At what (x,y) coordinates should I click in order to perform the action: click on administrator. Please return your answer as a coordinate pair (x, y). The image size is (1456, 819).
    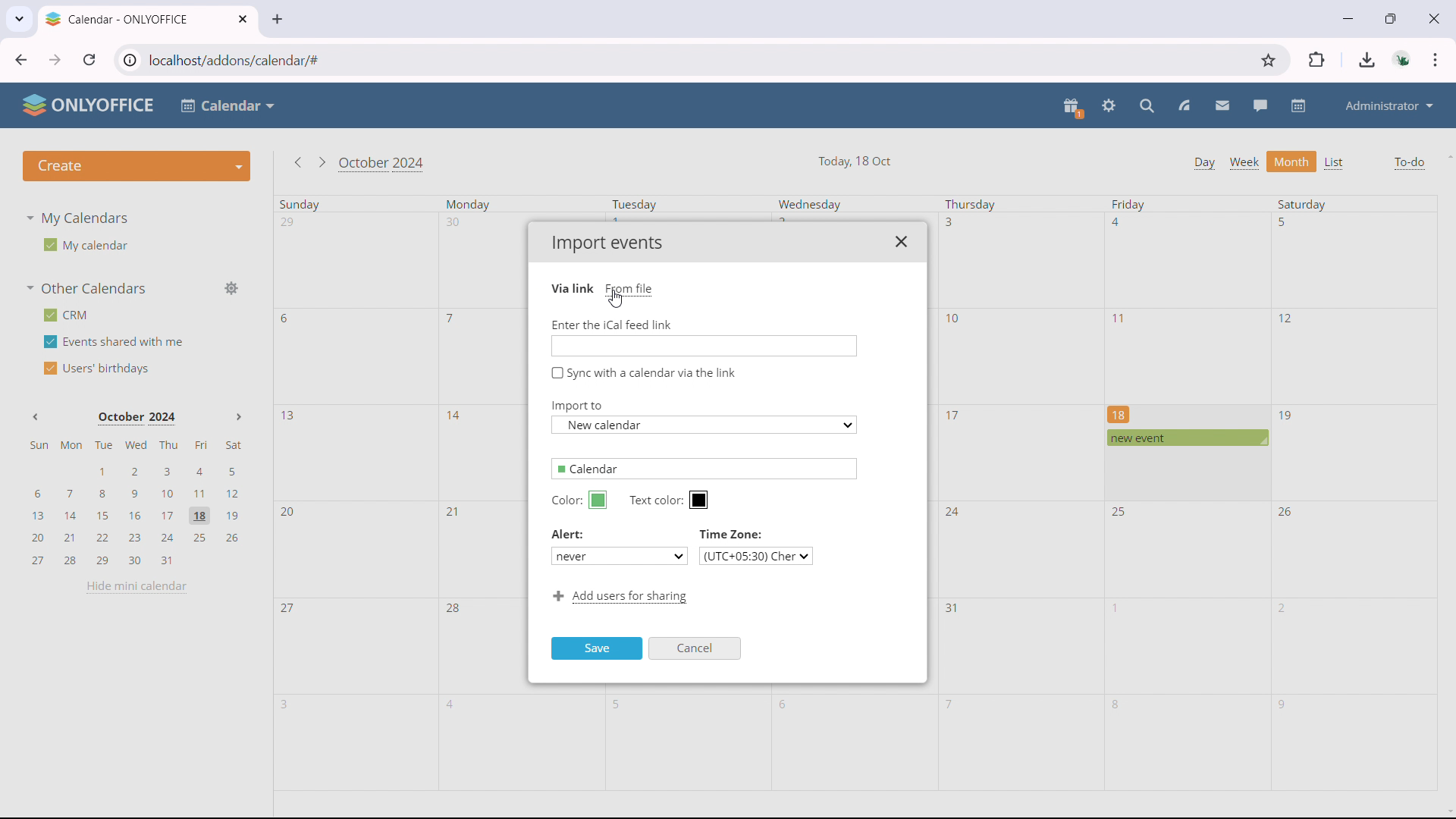
    Looking at the image, I should click on (1388, 105).